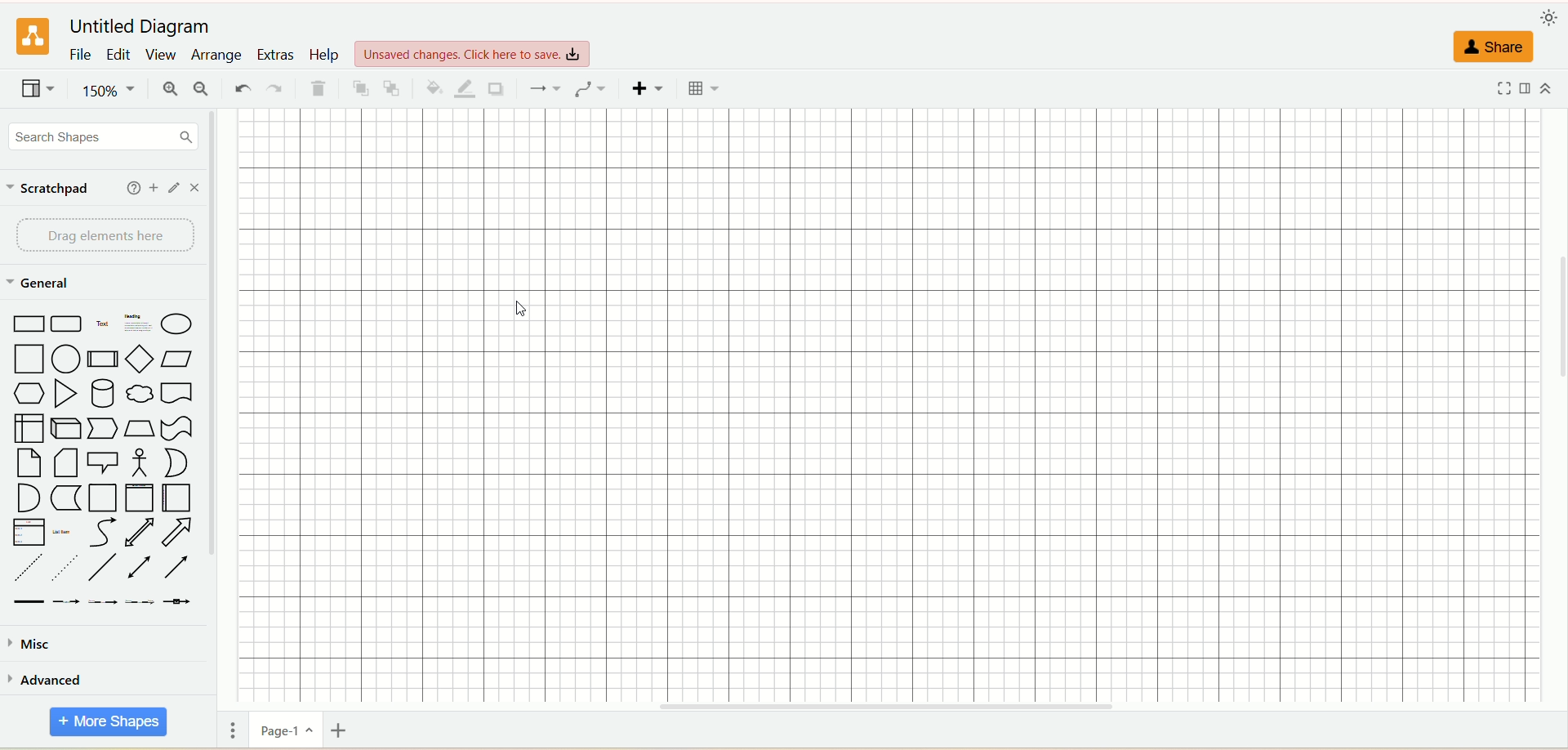 The height and width of the screenshot is (750, 1568). Describe the element at coordinates (883, 408) in the screenshot. I see `canvas` at that location.